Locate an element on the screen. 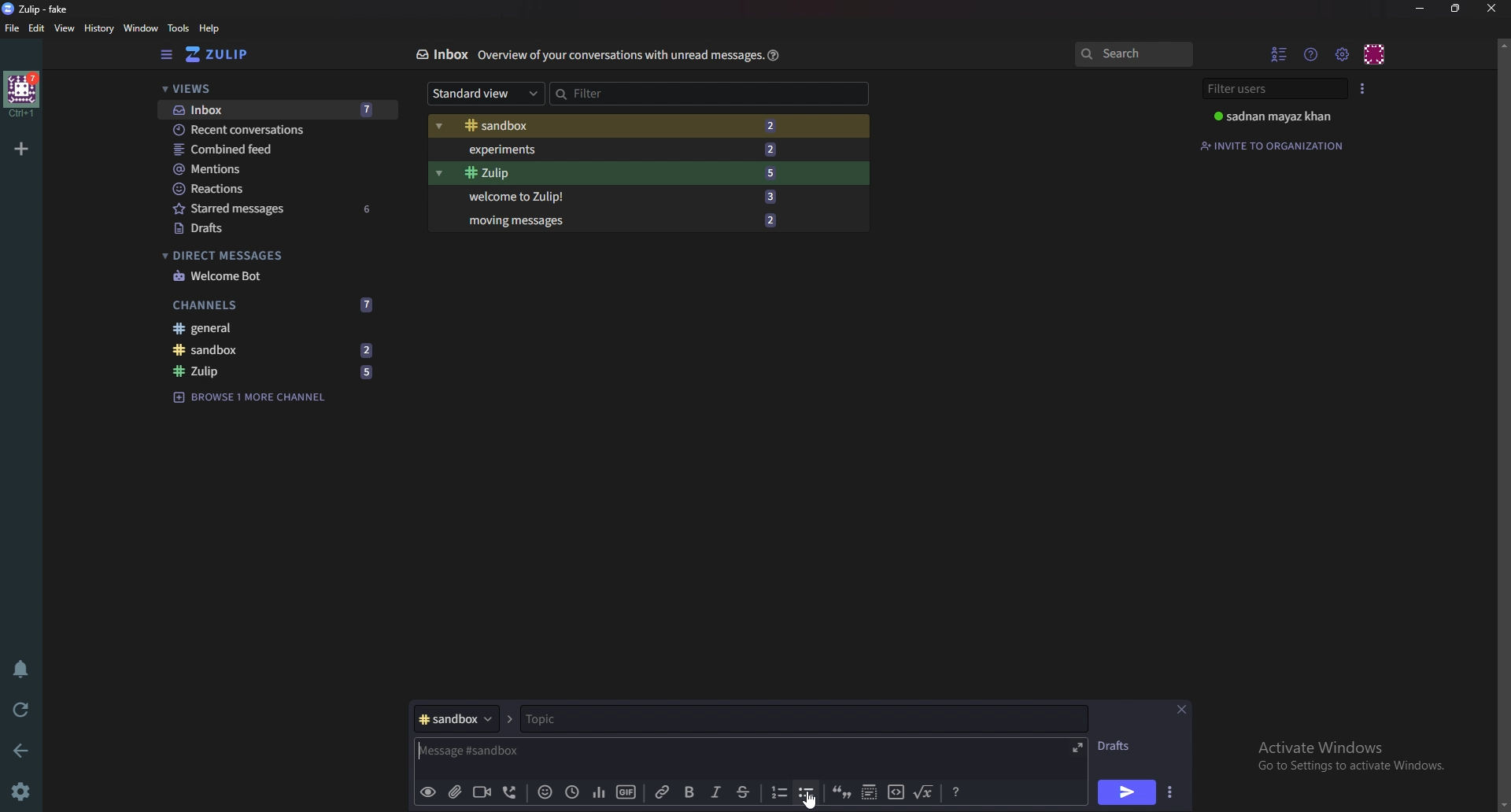 The width and height of the screenshot is (1511, 812). View is located at coordinates (65, 29).